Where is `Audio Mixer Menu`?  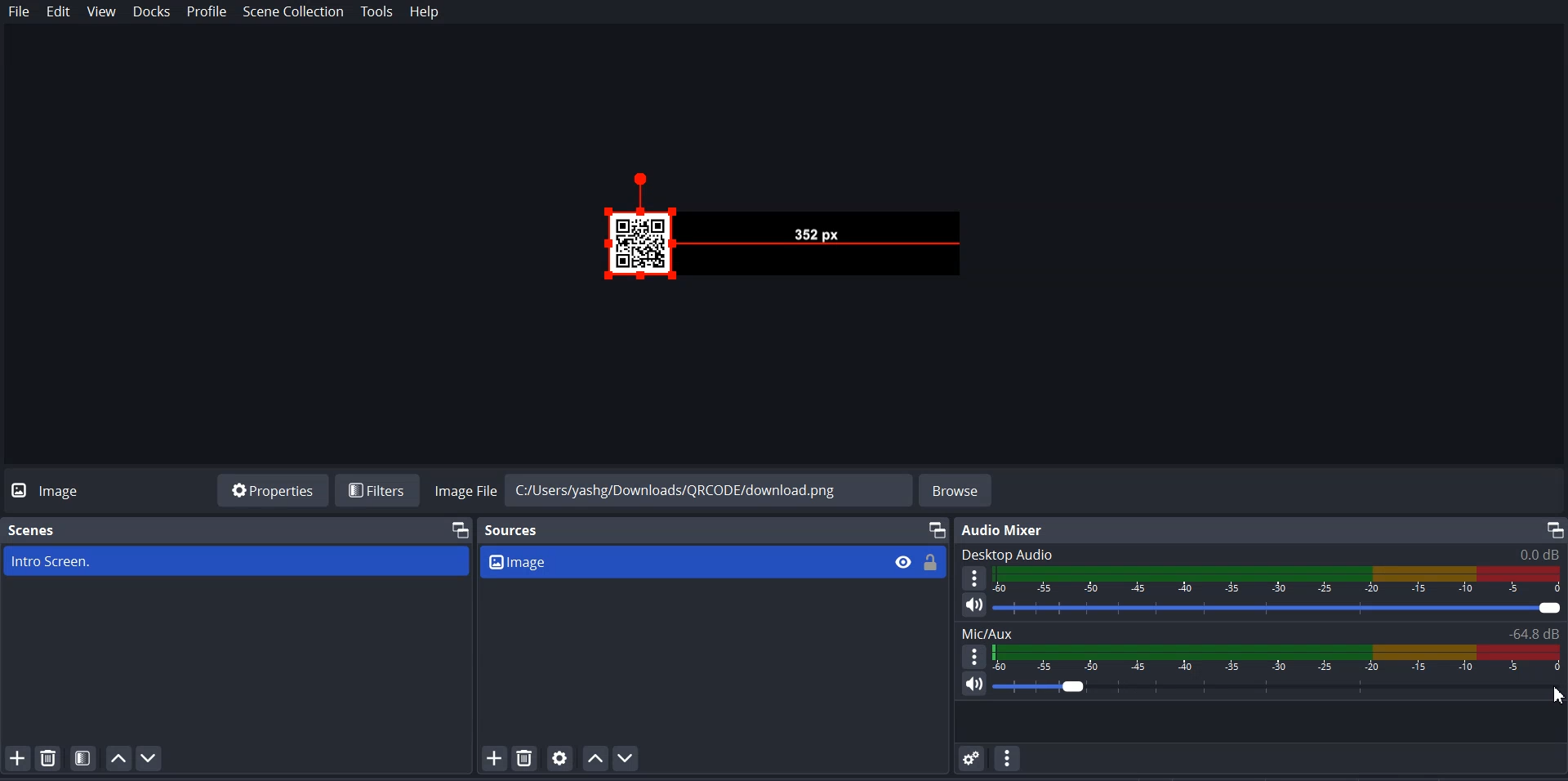 Audio Mixer Menu is located at coordinates (1007, 758).